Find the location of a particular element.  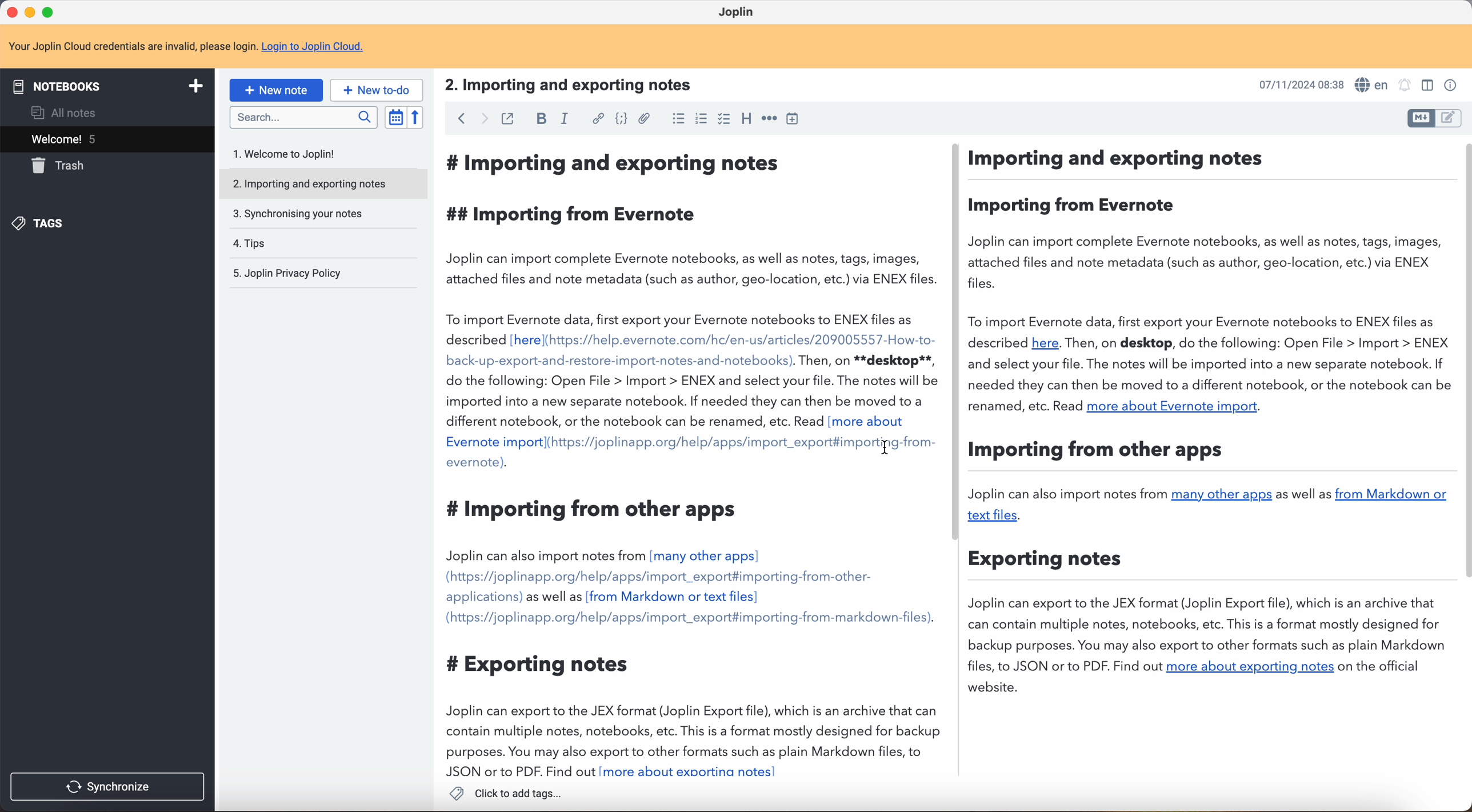

toggle external editing is located at coordinates (508, 118).